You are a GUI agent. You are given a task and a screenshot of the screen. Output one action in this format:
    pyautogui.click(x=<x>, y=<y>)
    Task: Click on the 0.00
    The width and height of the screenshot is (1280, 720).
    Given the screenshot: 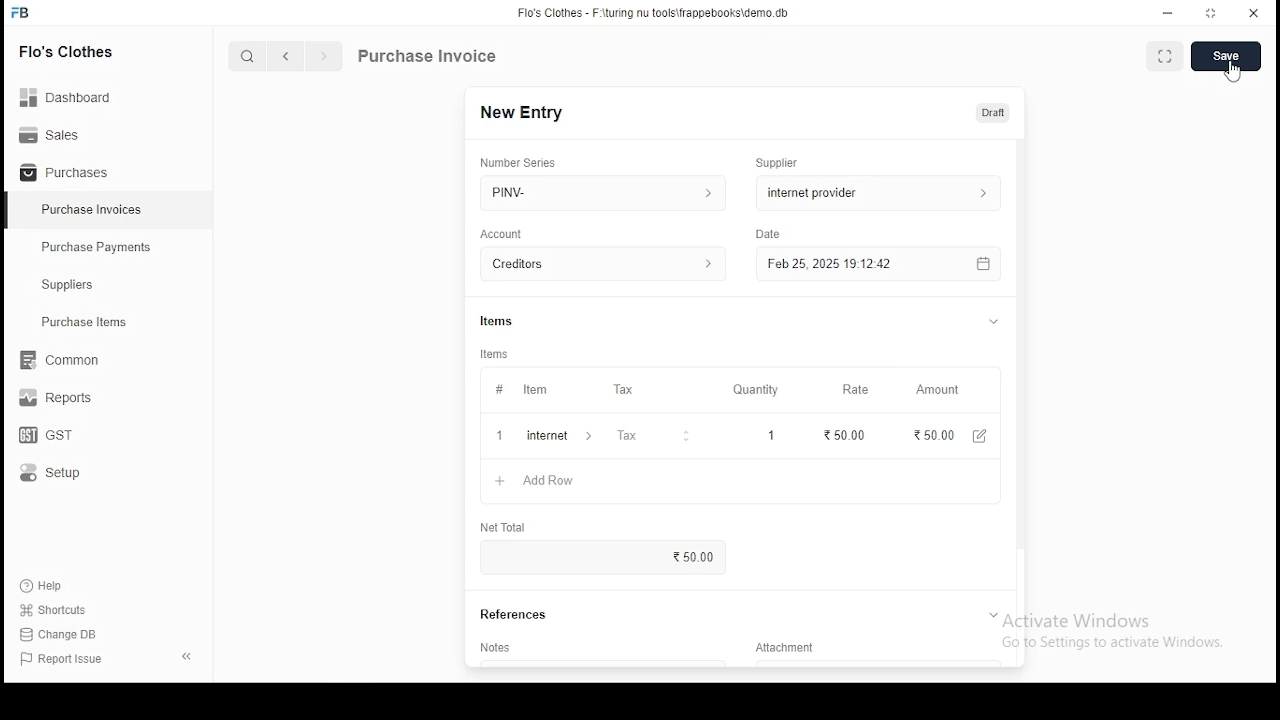 What is the action you would take?
    pyautogui.click(x=702, y=556)
    